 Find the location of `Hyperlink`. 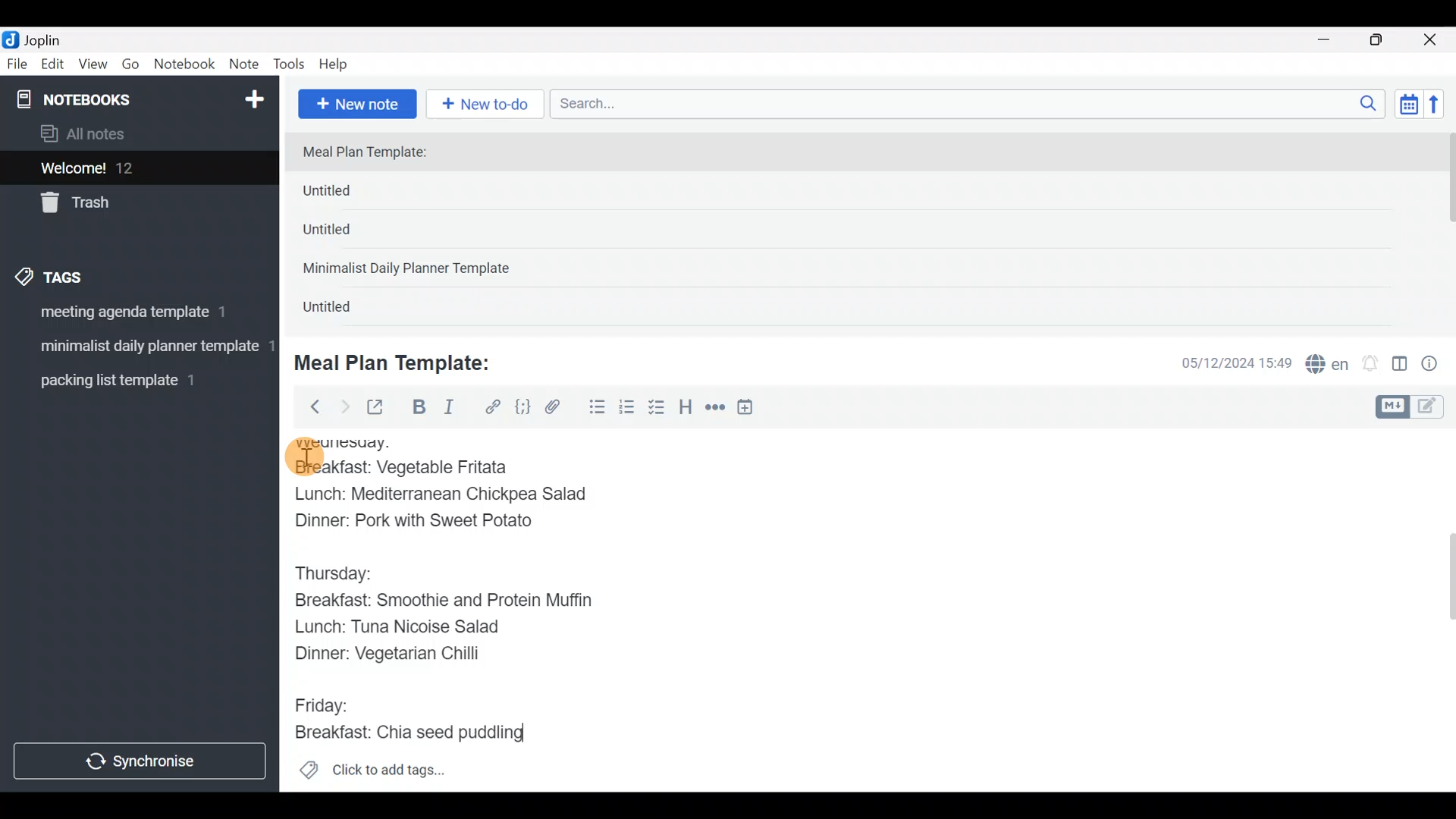

Hyperlink is located at coordinates (493, 407).